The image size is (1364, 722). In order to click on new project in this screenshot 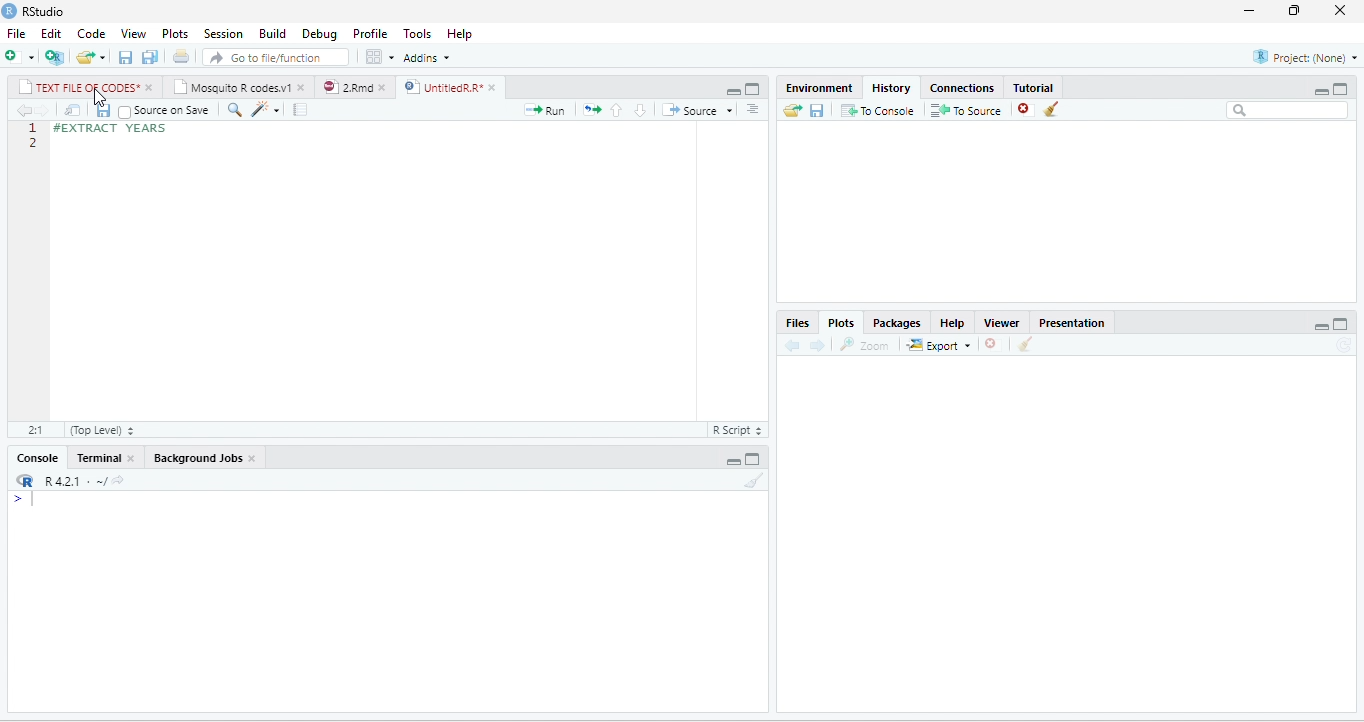, I will do `click(55, 57)`.